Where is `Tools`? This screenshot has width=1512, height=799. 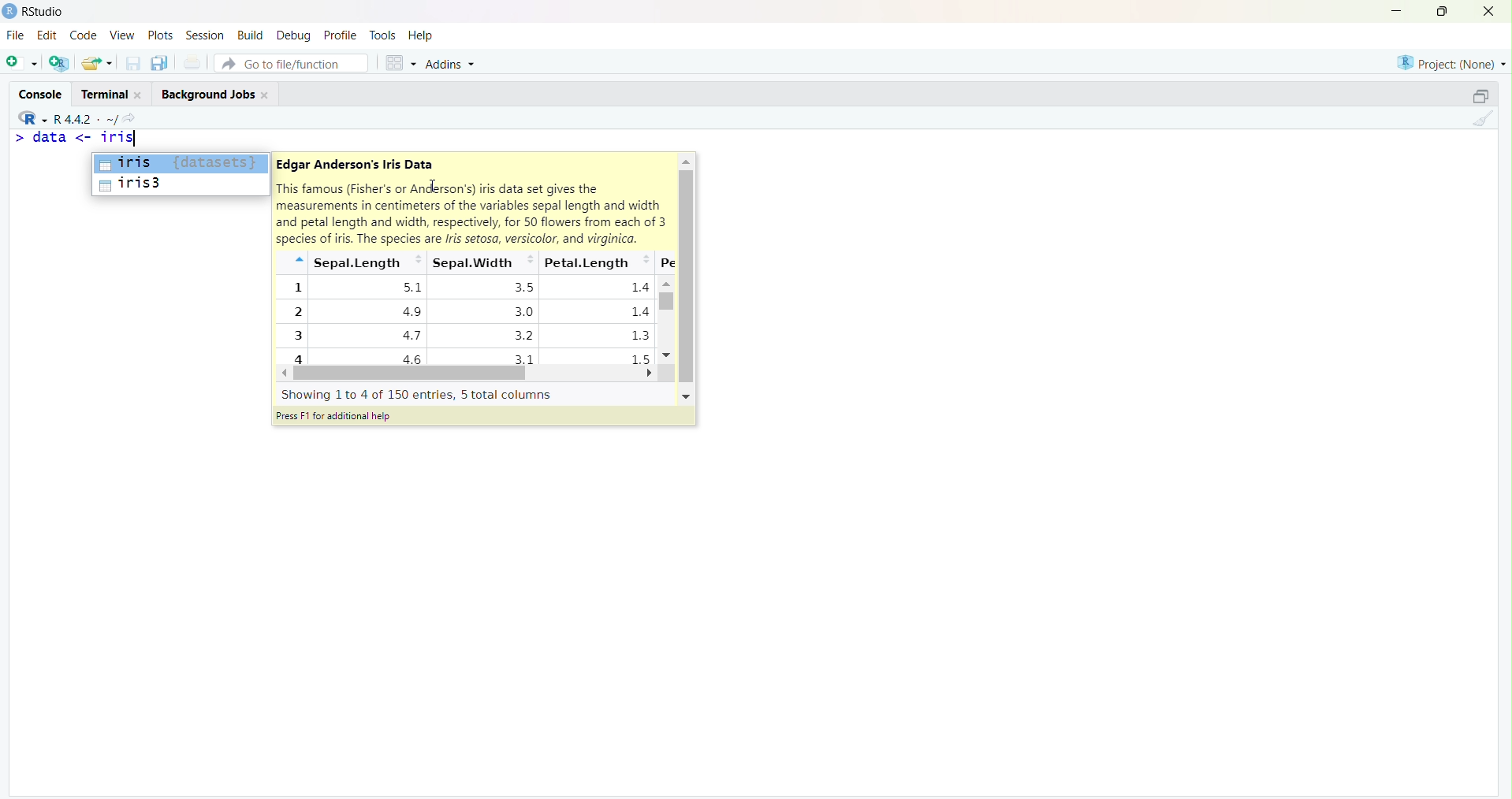
Tools is located at coordinates (382, 34).